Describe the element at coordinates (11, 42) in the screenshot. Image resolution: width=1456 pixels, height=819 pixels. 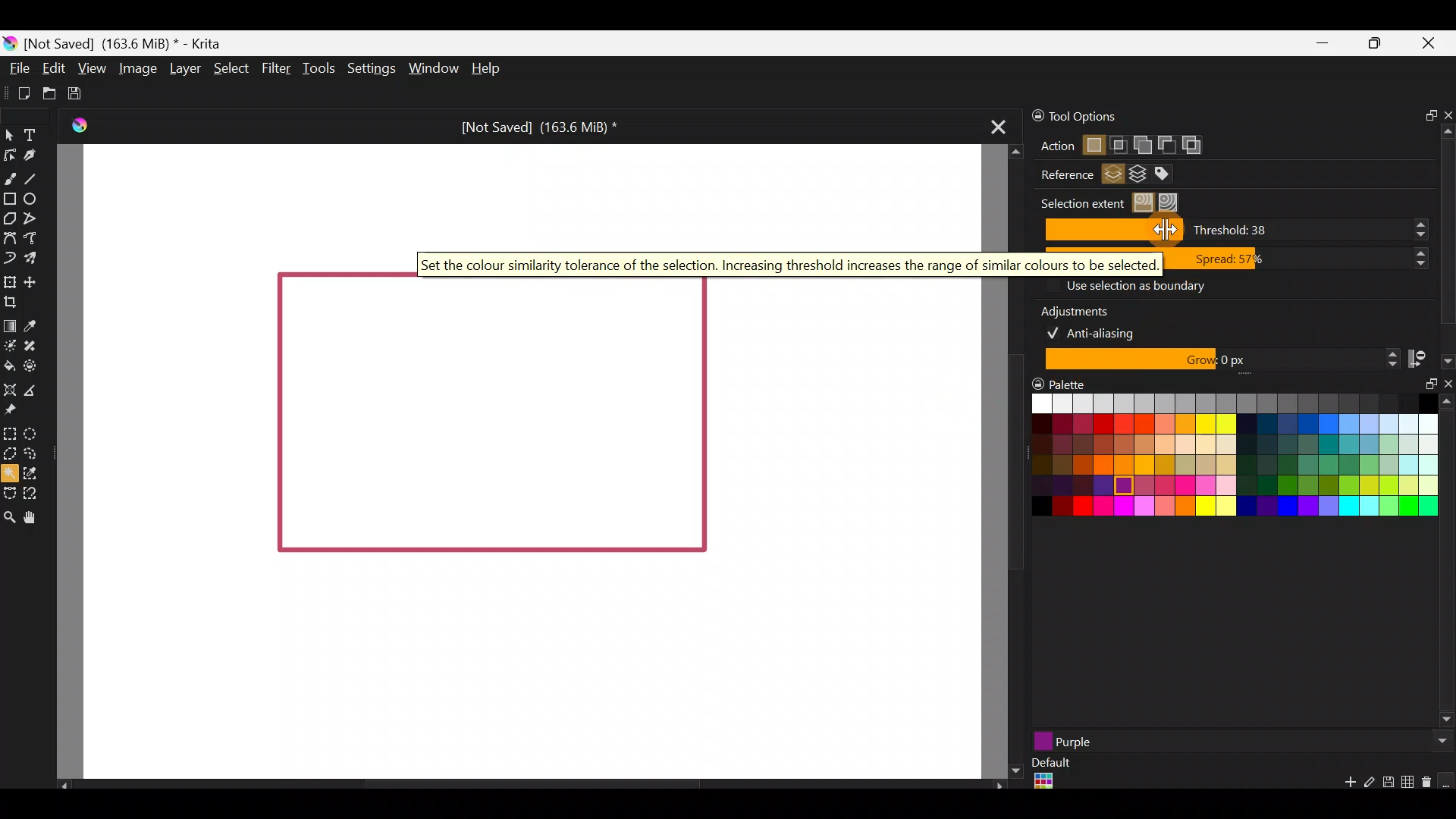
I see `Krita logo` at that location.